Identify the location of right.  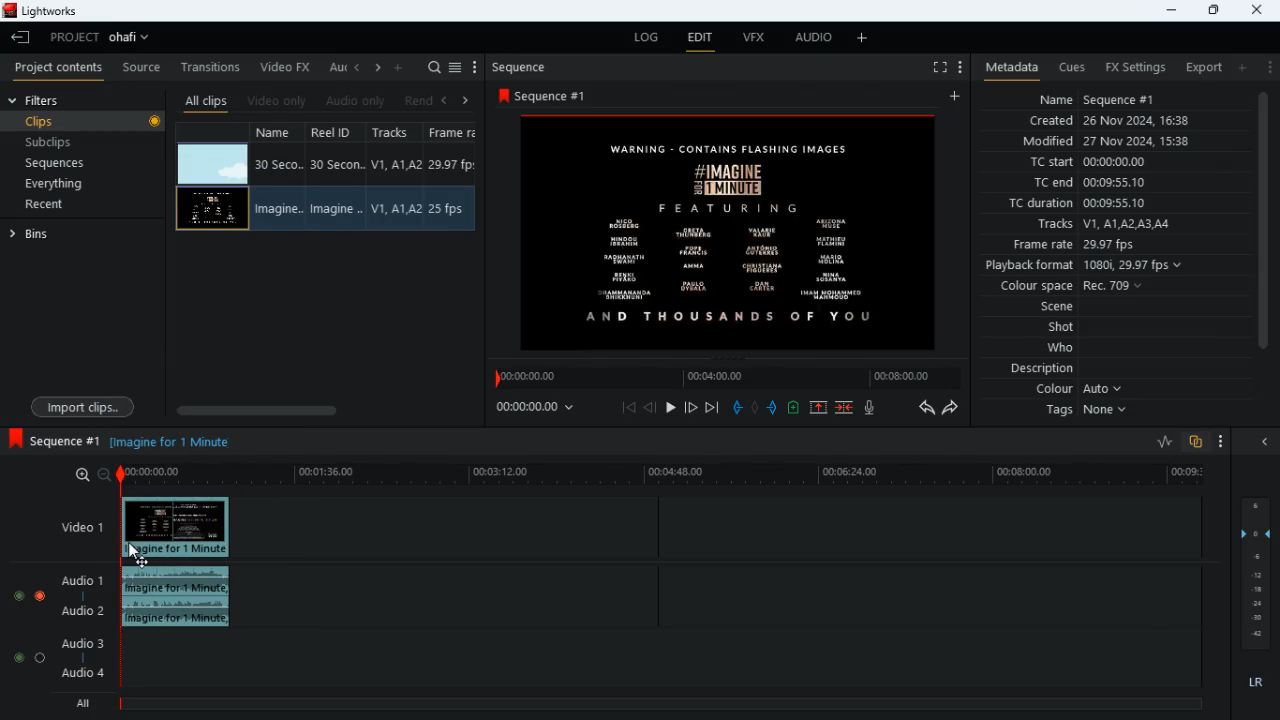
(466, 100).